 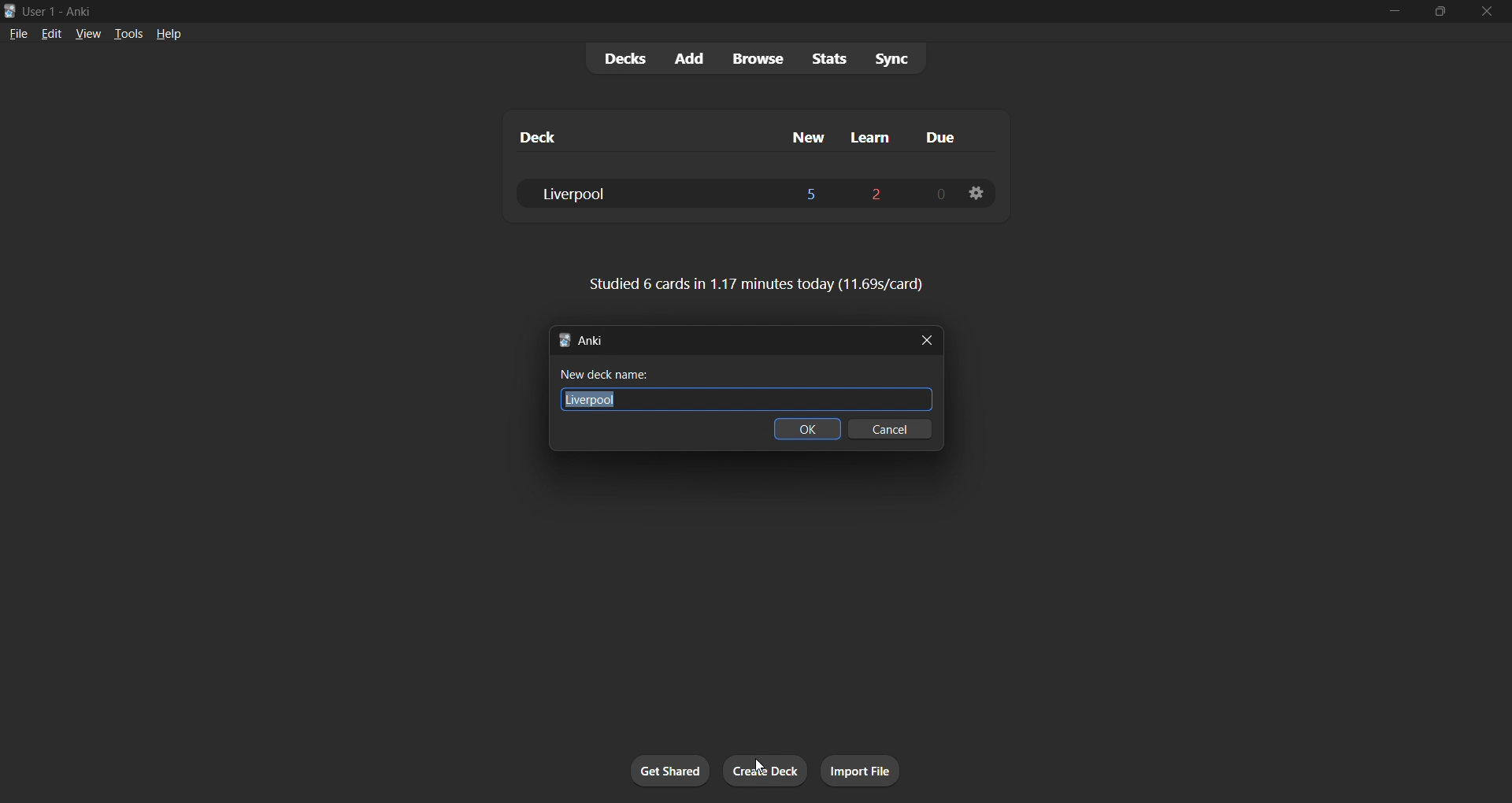 I want to click on help, so click(x=171, y=35).